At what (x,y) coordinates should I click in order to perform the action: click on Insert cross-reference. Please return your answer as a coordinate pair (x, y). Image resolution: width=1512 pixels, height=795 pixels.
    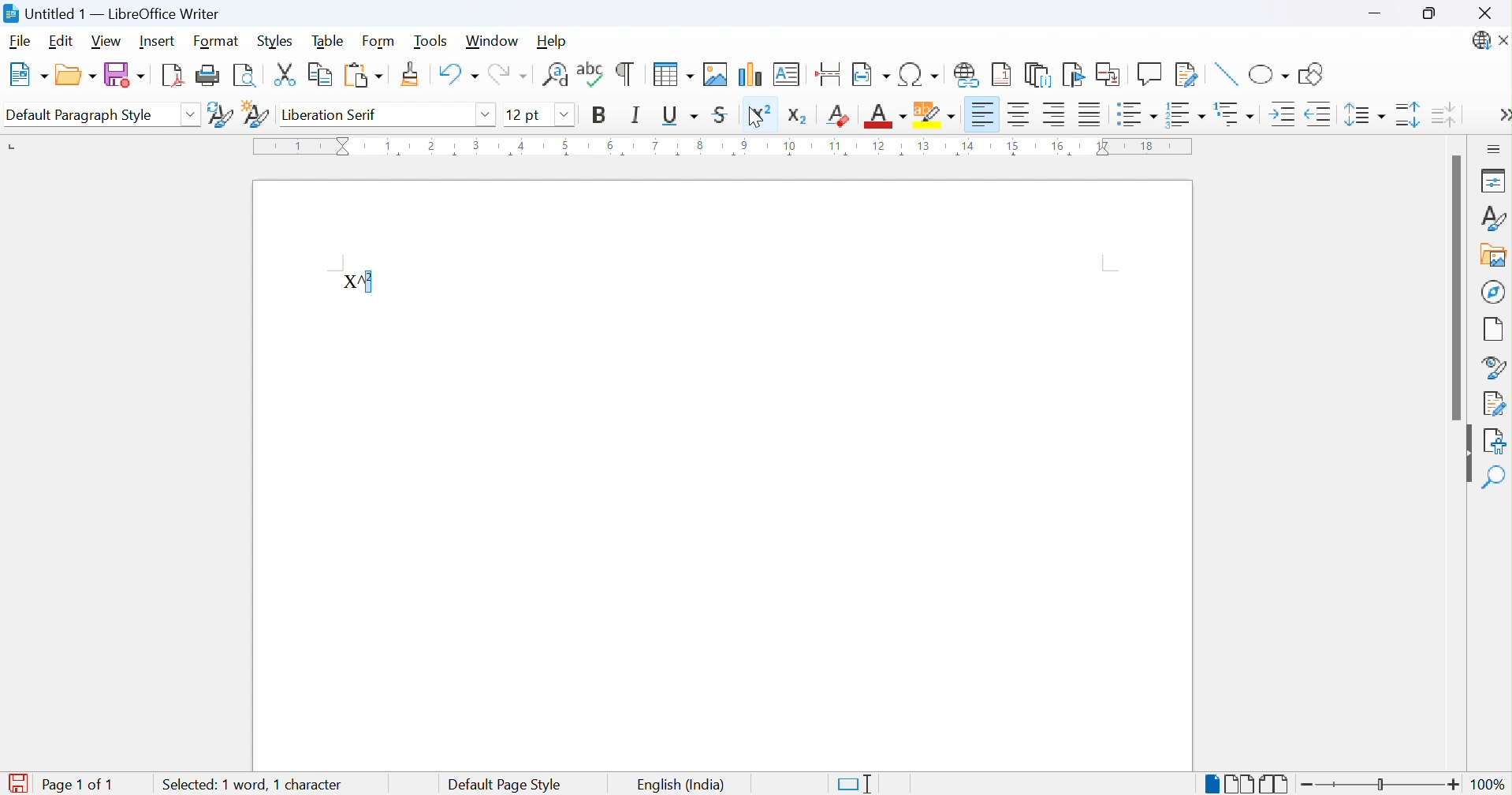
    Looking at the image, I should click on (1108, 76).